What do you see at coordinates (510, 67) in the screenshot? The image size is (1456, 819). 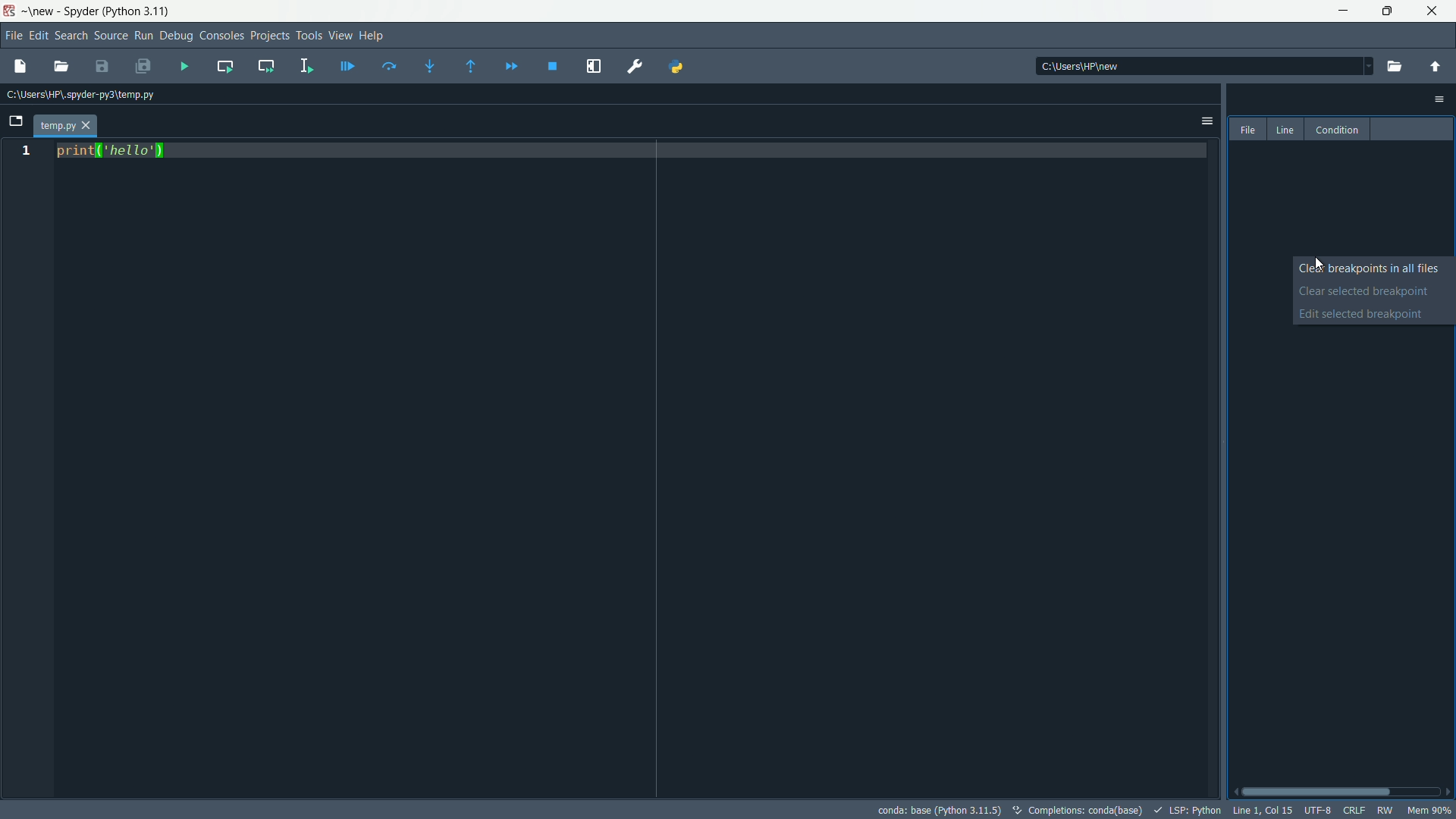 I see `continue execution until next breakpoint` at bounding box center [510, 67].